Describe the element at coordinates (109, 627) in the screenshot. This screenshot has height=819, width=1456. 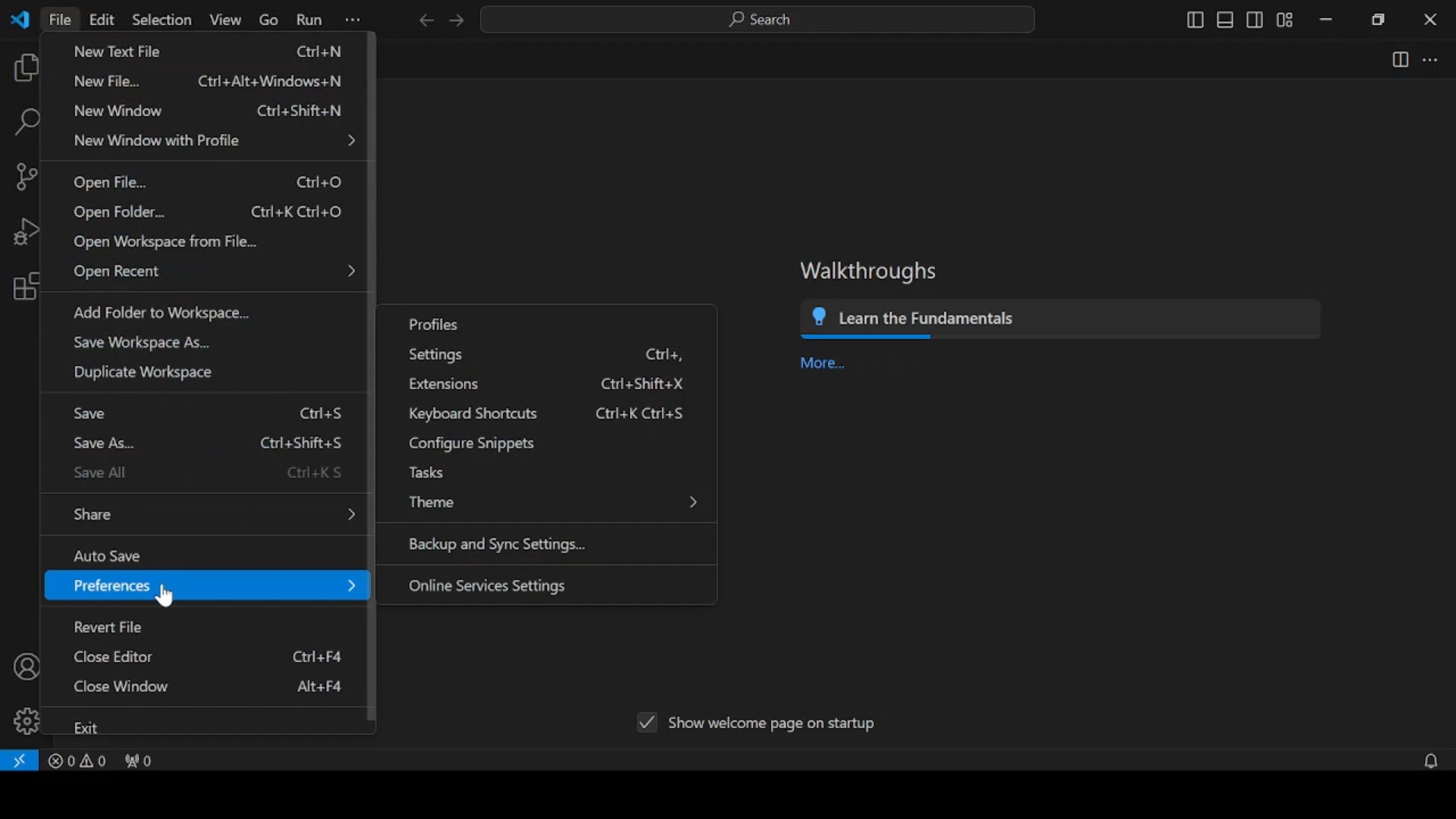
I see `revert file` at that location.